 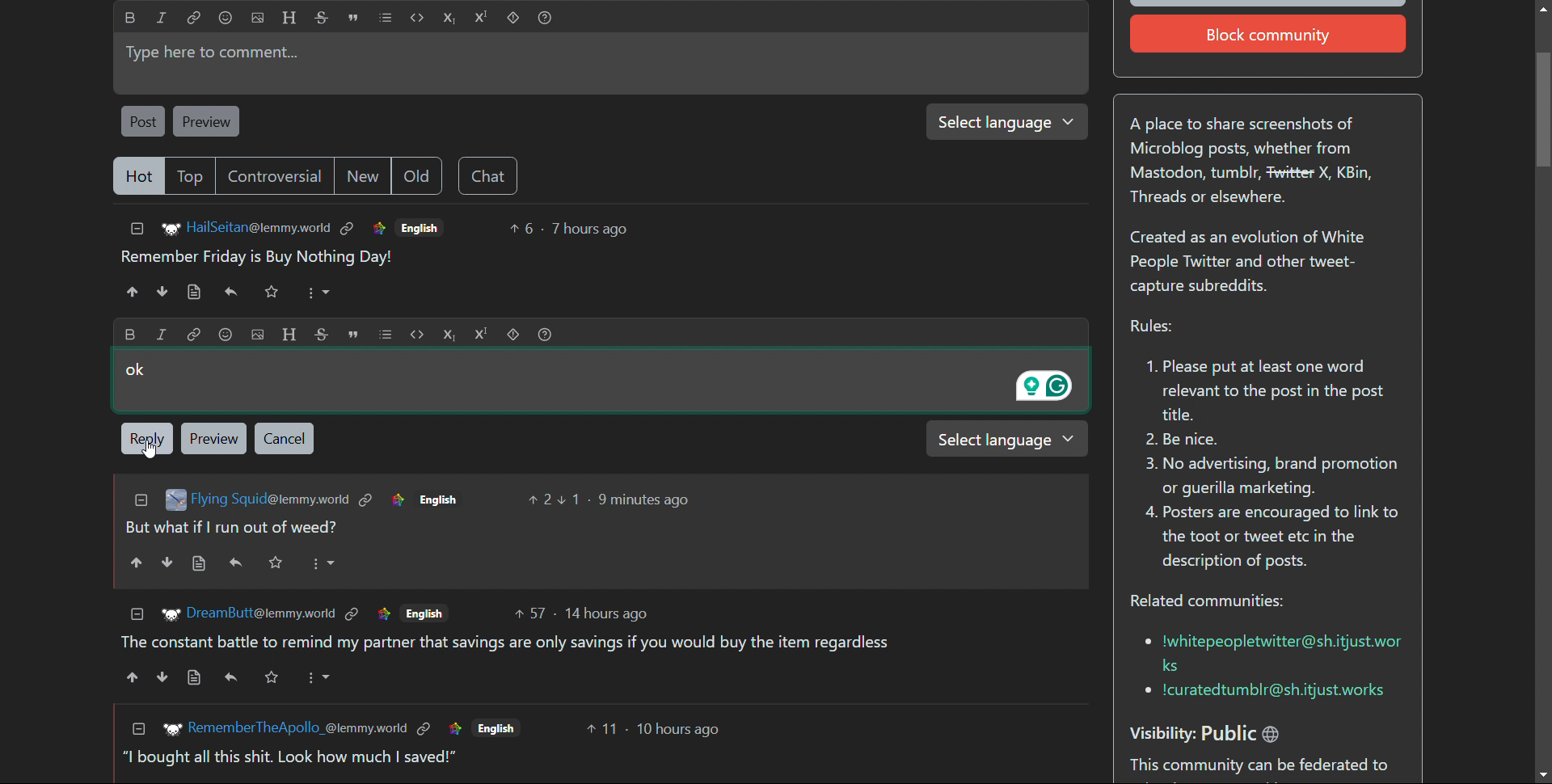 What do you see at coordinates (352, 18) in the screenshot?
I see `quote` at bounding box center [352, 18].